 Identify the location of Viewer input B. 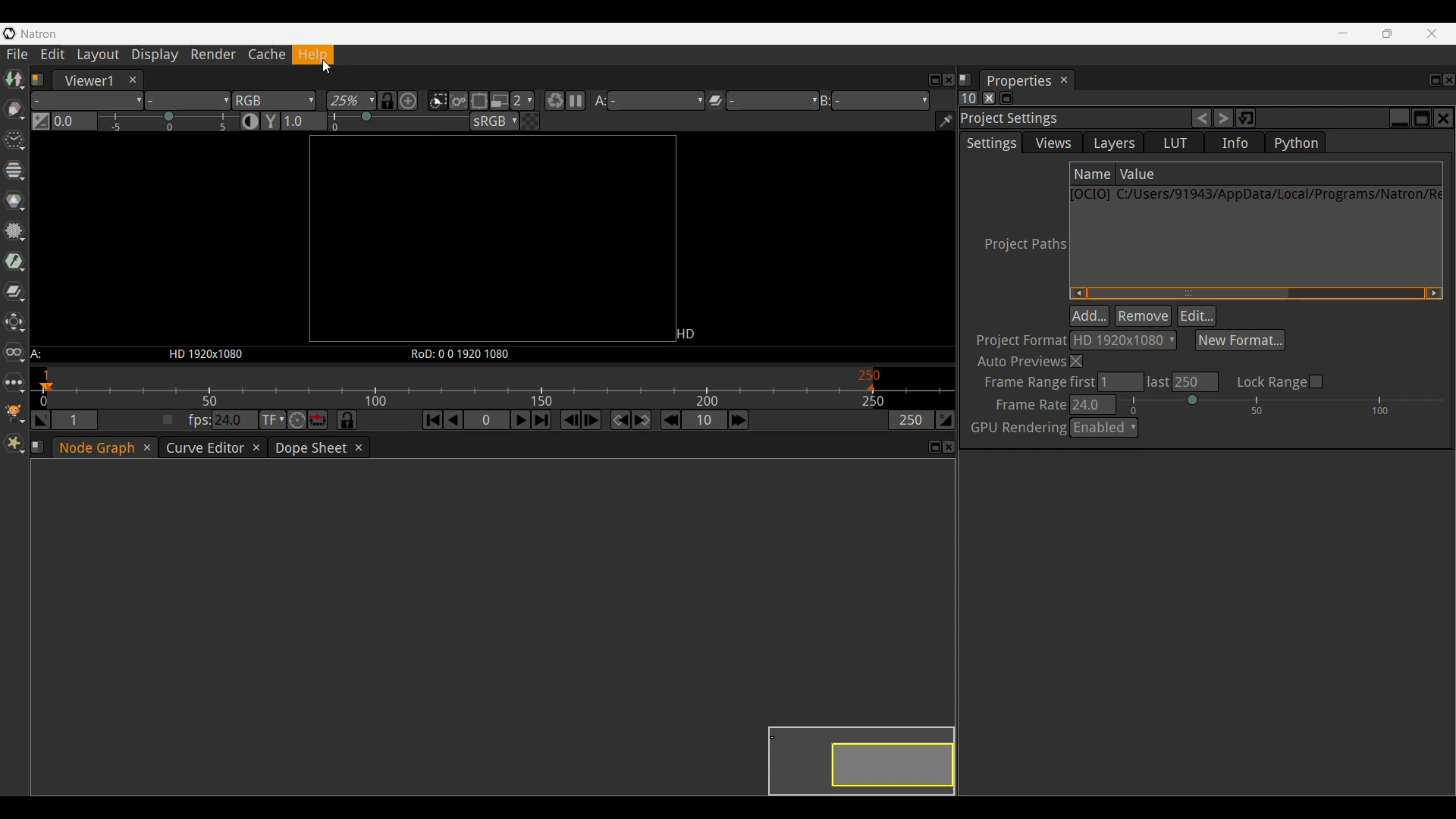
(874, 99).